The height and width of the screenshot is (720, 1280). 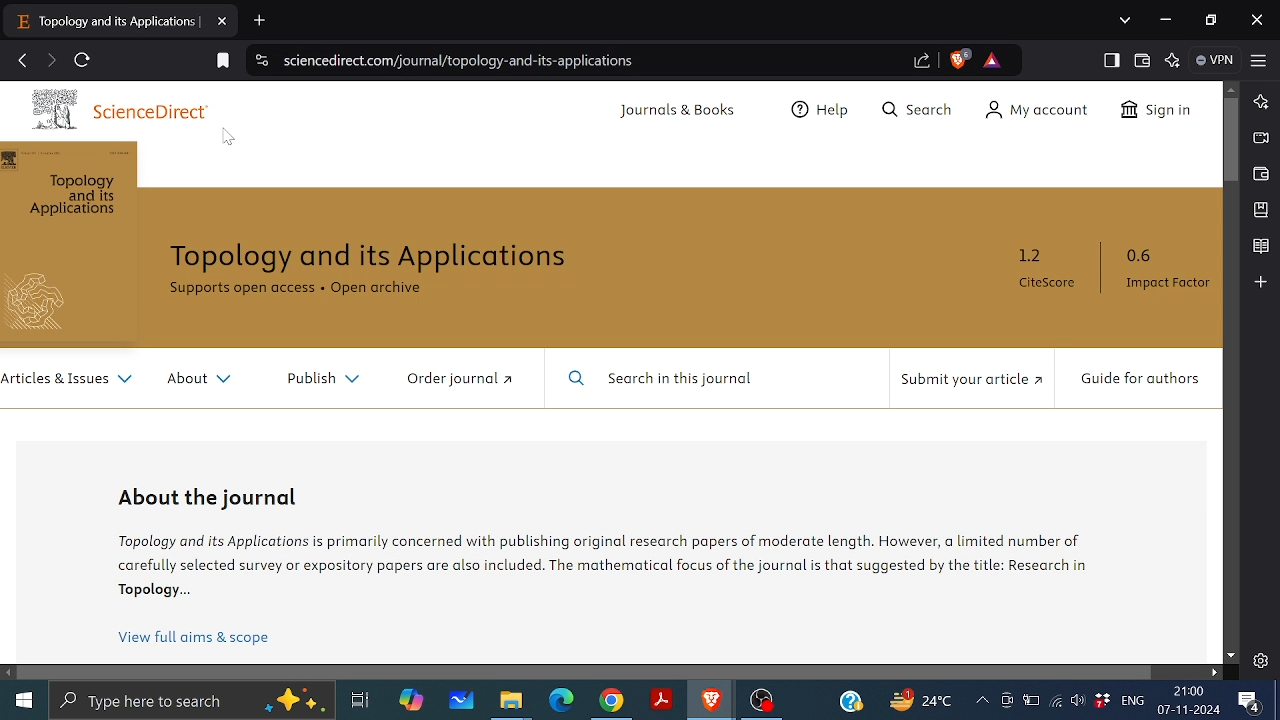 What do you see at coordinates (196, 380) in the screenshot?
I see `About ` at bounding box center [196, 380].